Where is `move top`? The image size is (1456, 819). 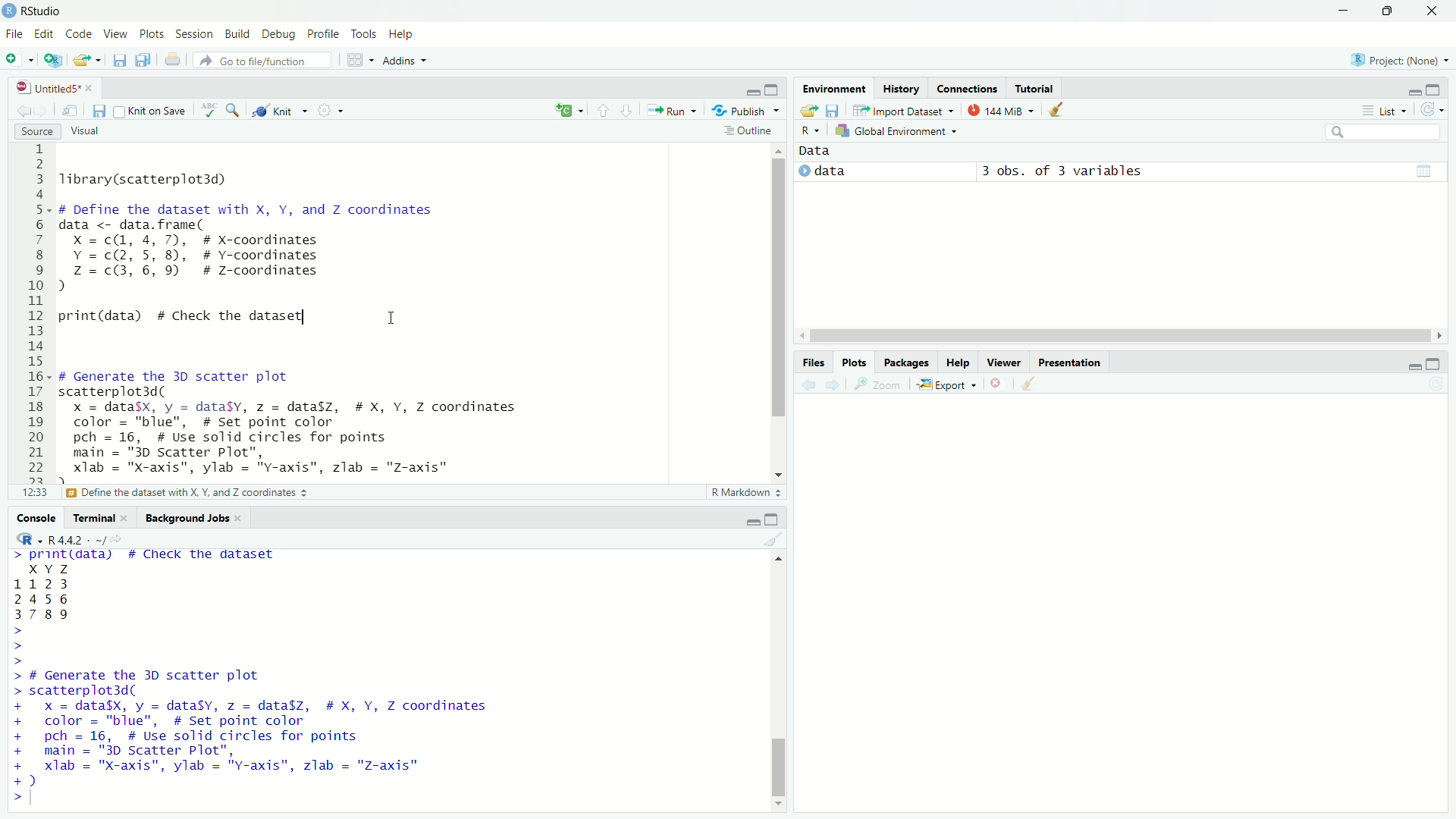 move top is located at coordinates (778, 149).